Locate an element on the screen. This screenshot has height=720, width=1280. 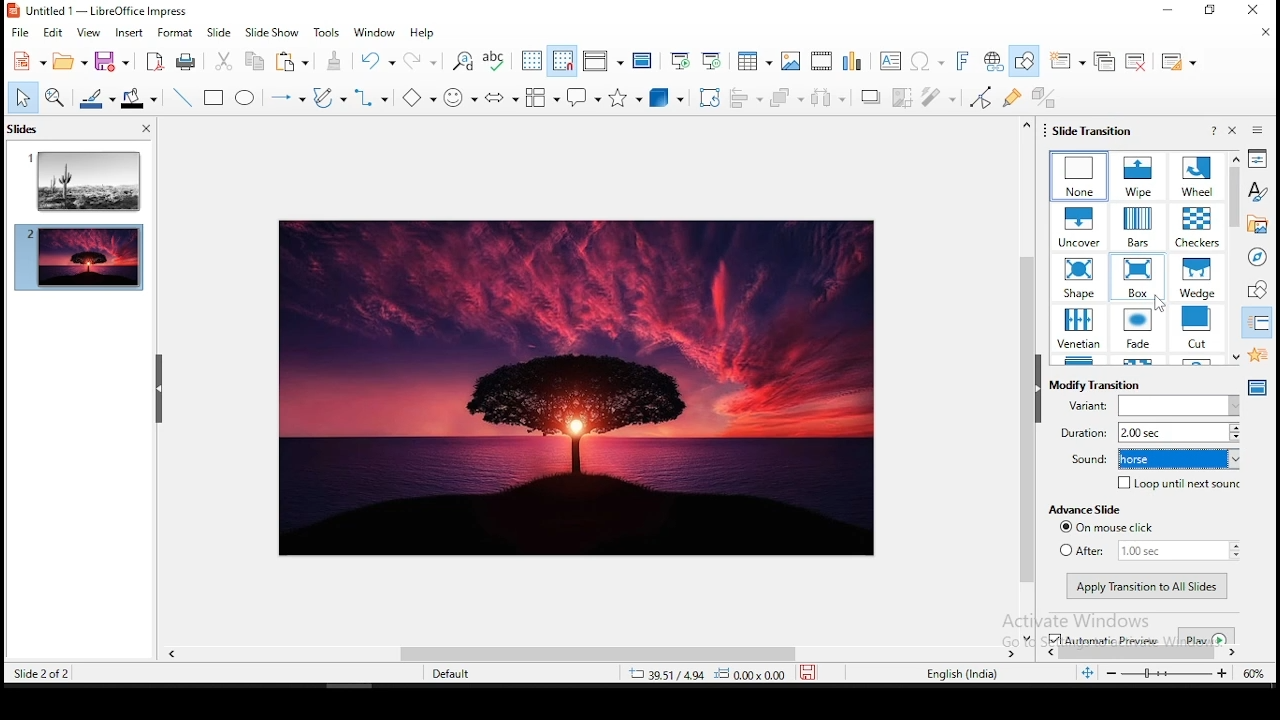
snap to grids is located at coordinates (563, 61).